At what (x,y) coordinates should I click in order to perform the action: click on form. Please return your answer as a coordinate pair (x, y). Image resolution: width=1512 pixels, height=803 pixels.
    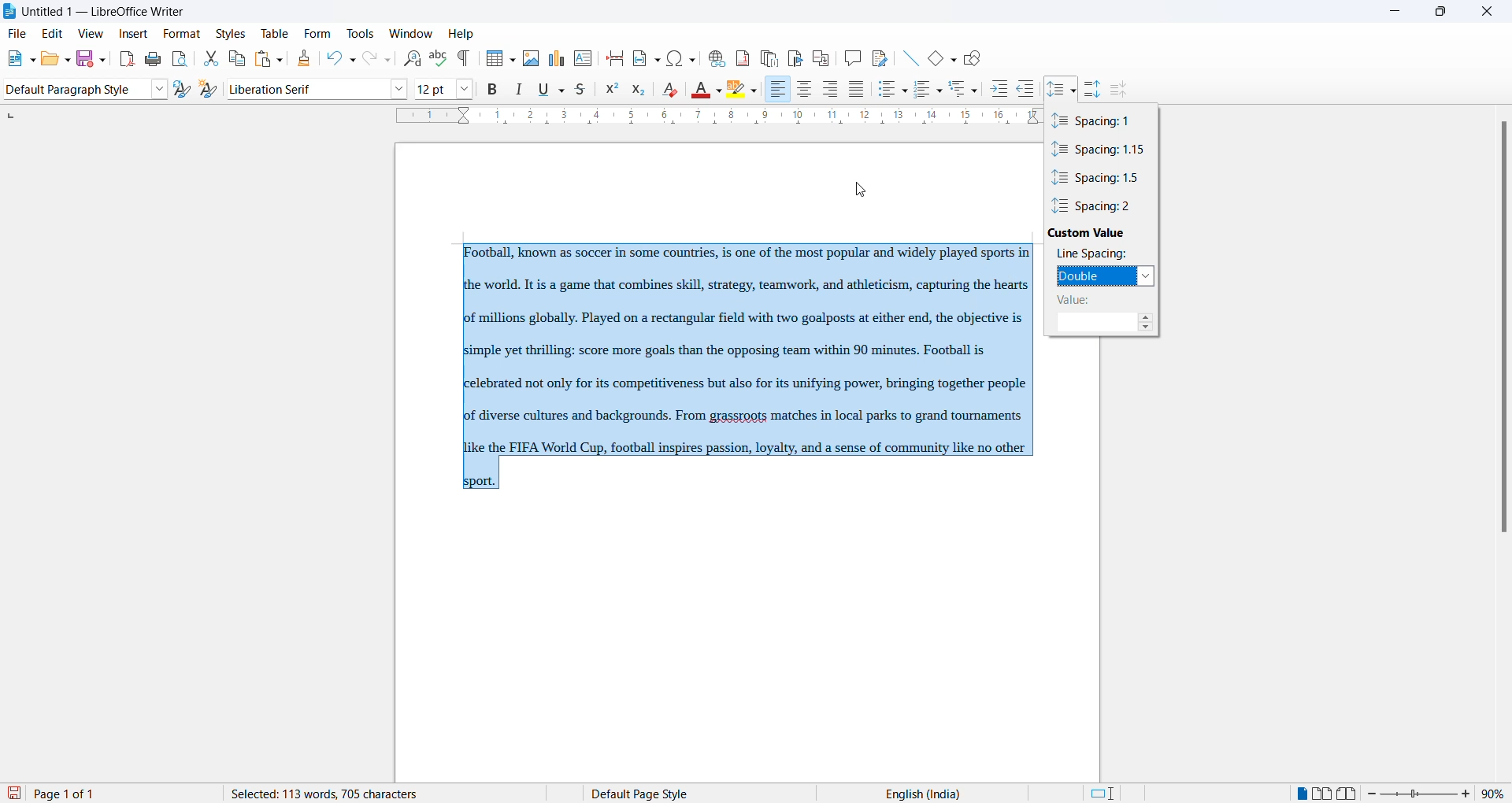
    Looking at the image, I should click on (315, 33).